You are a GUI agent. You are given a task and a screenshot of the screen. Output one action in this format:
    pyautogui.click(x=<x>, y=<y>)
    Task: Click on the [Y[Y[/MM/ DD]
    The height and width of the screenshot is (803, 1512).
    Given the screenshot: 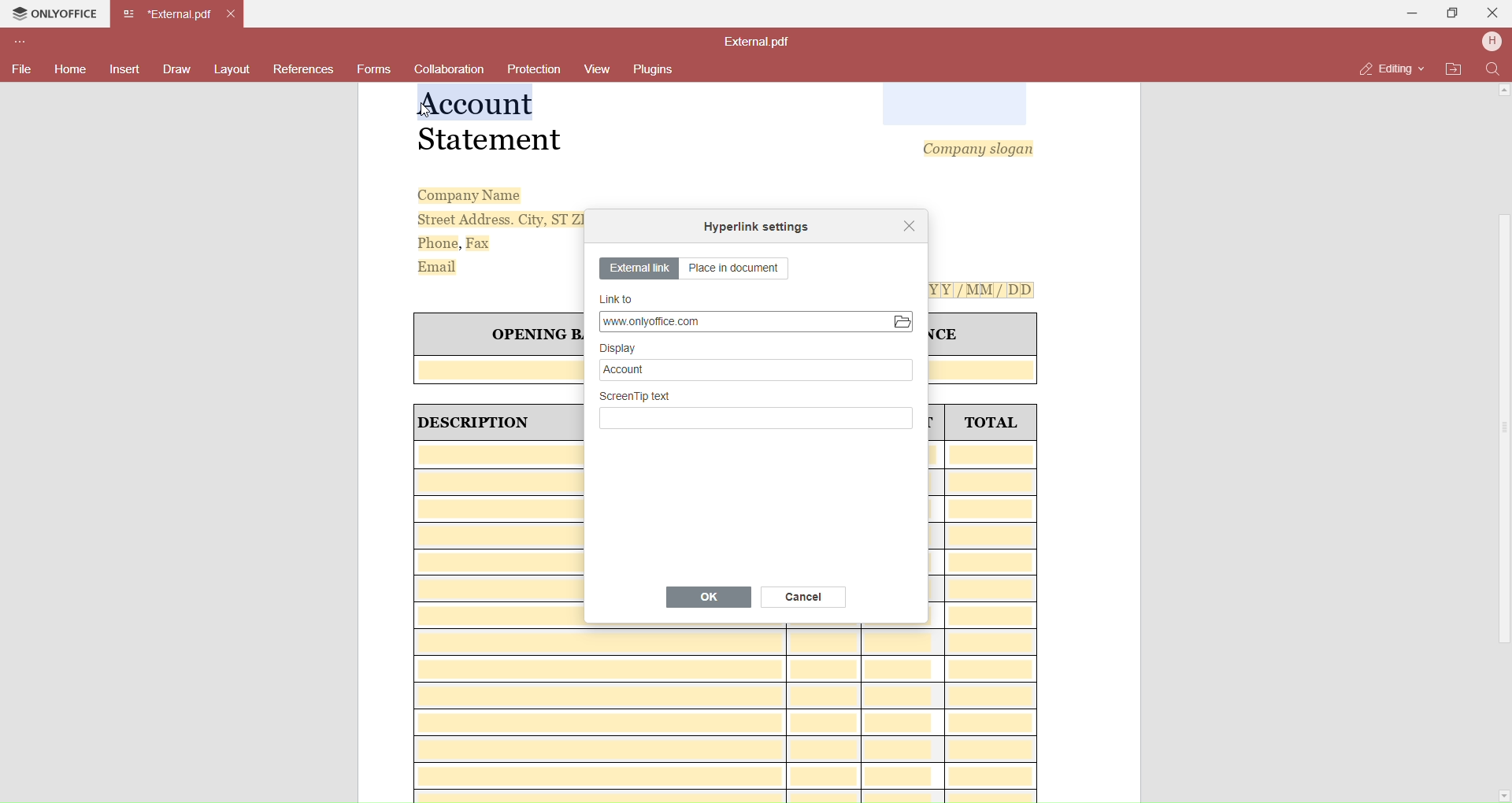 What is the action you would take?
    pyautogui.click(x=986, y=290)
    